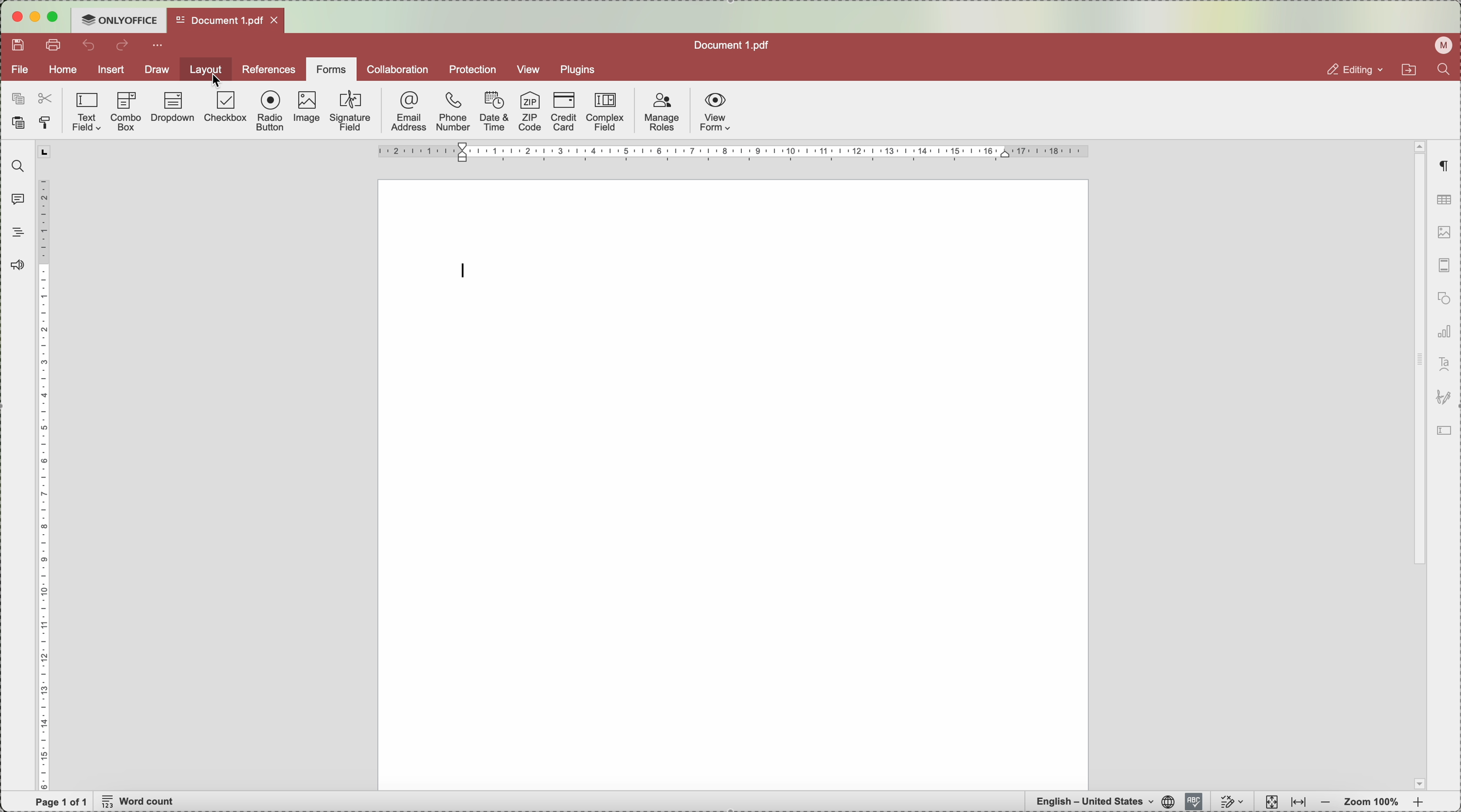 The height and width of the screenshot is (812, 1461). What do you see at coordinates (604, 113) in the screenshot?
I see `complex field` at bounding box center [604, 113].